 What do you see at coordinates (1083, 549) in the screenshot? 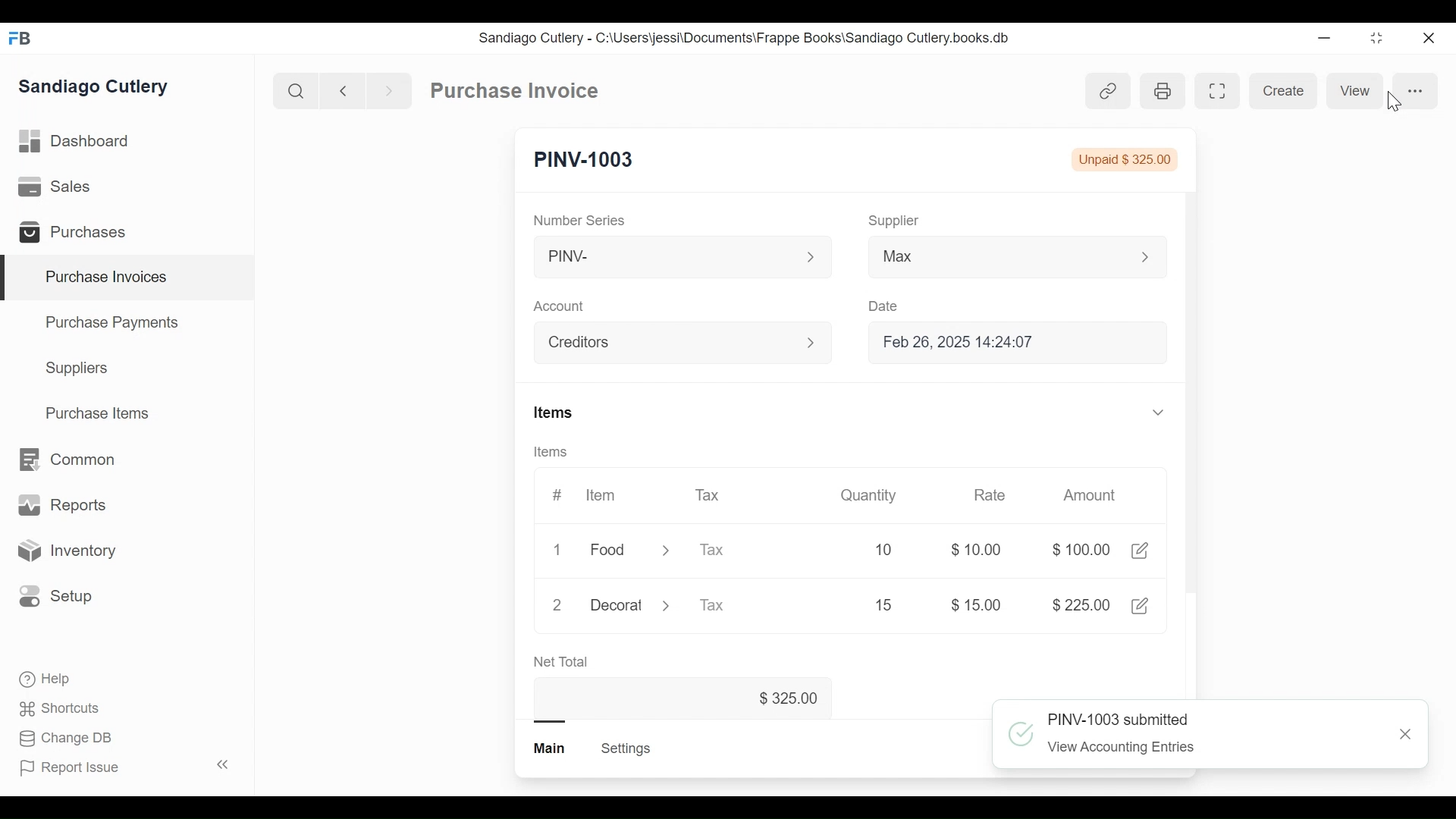
I see `$100.00` at bounding box center [1083, 549].